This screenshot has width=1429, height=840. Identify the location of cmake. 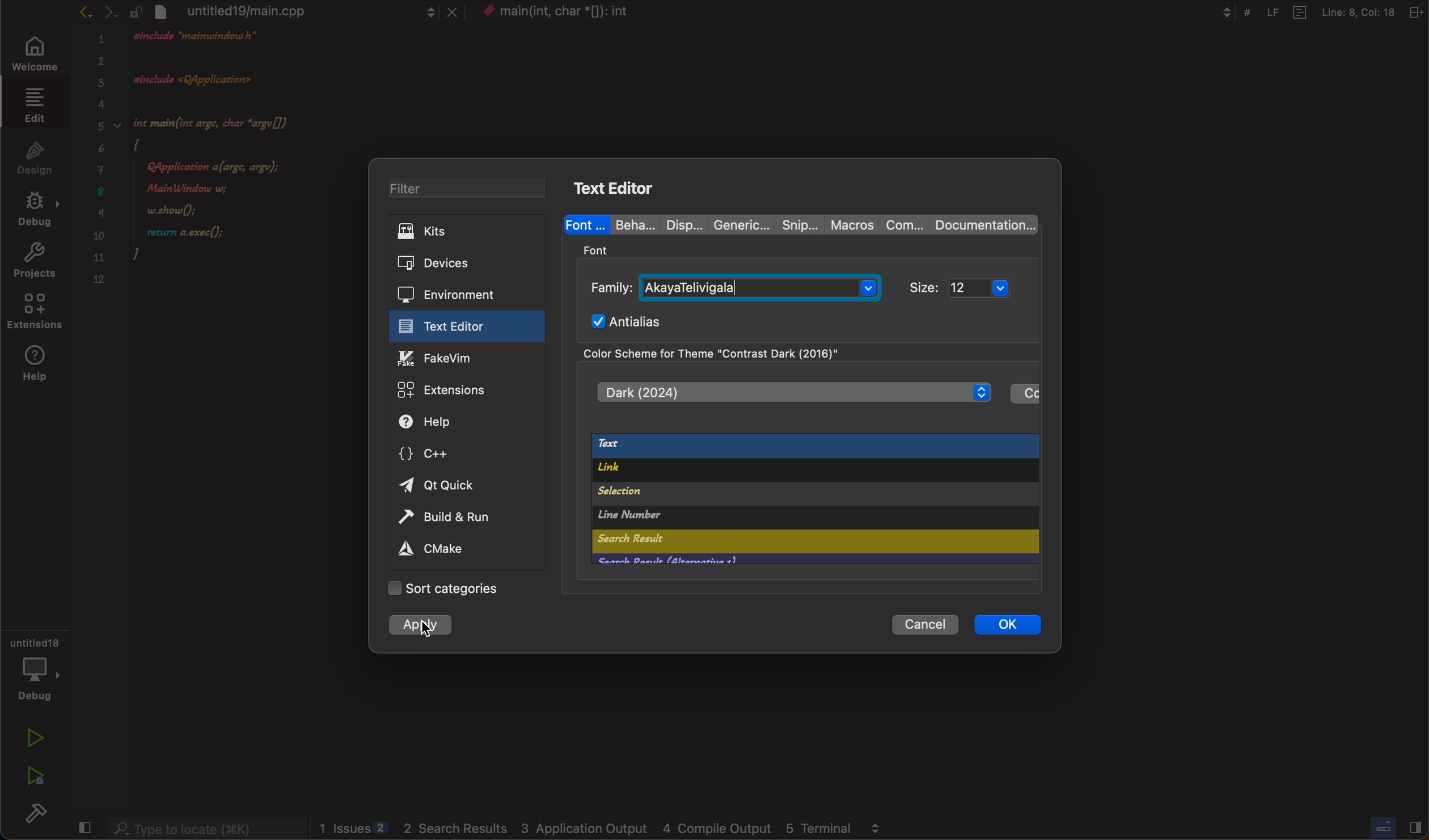
(434, 550).